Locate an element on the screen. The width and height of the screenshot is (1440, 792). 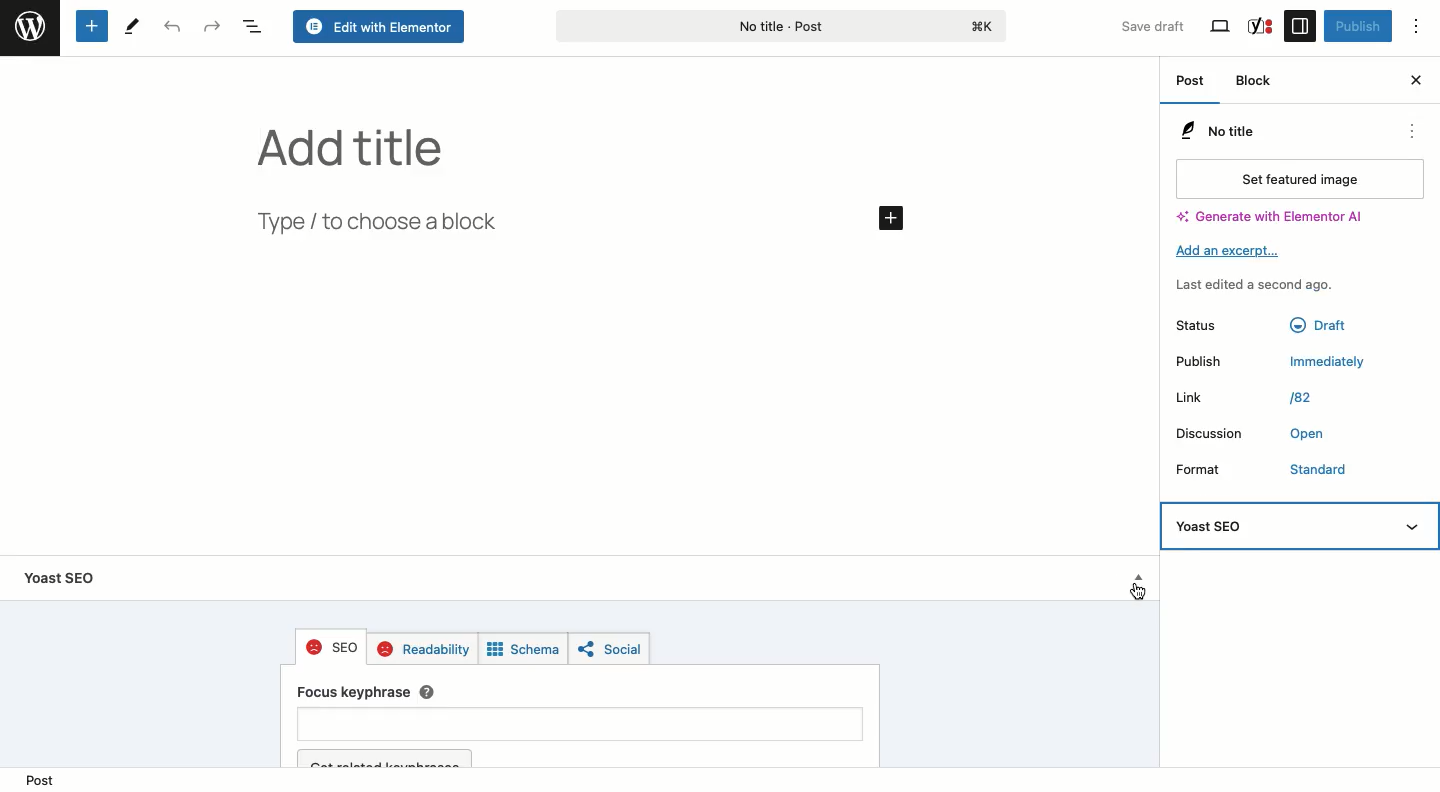
View is located at coordinates (1222, 27).